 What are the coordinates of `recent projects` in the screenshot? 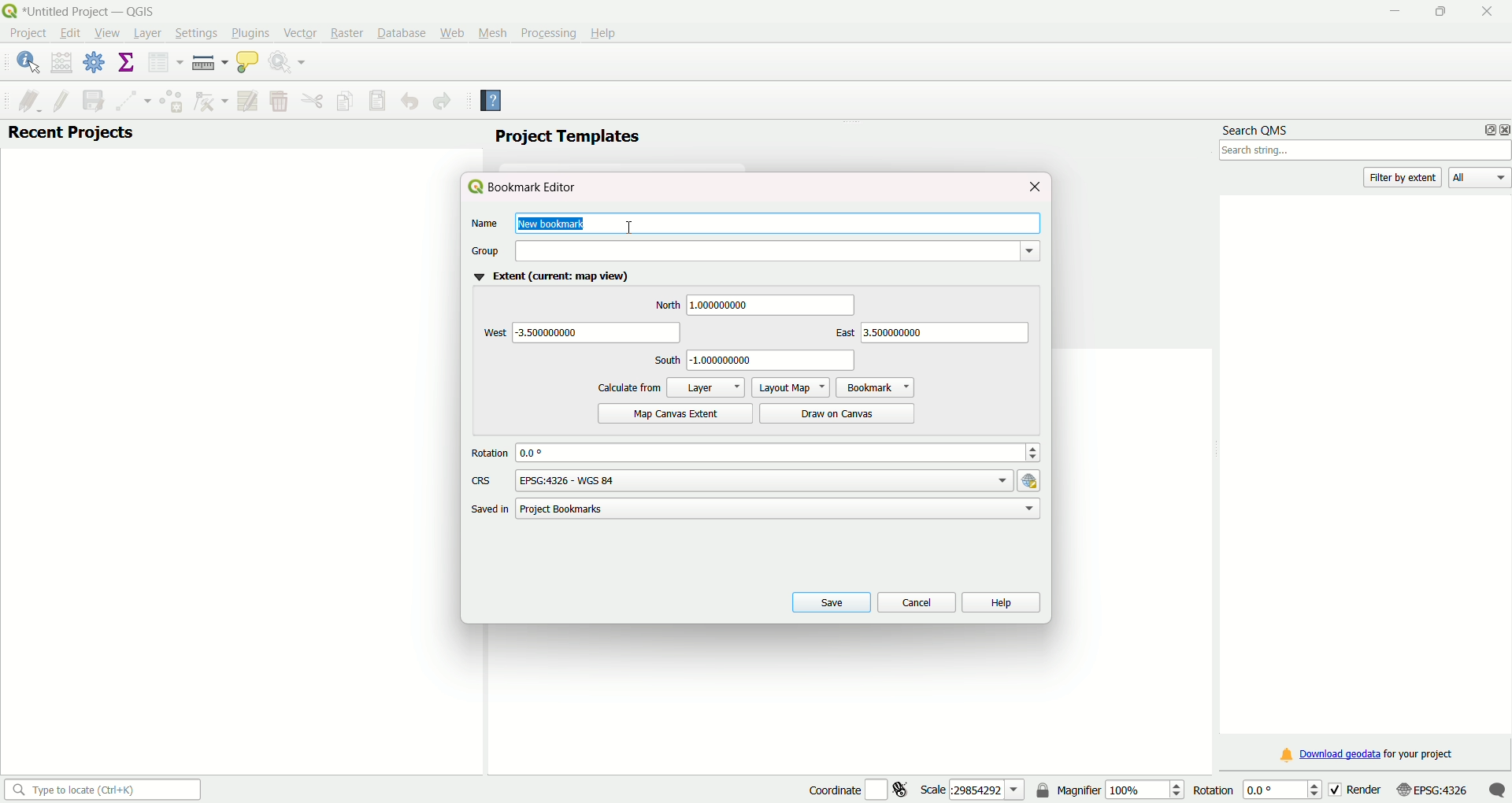 It's located at (71, 134).